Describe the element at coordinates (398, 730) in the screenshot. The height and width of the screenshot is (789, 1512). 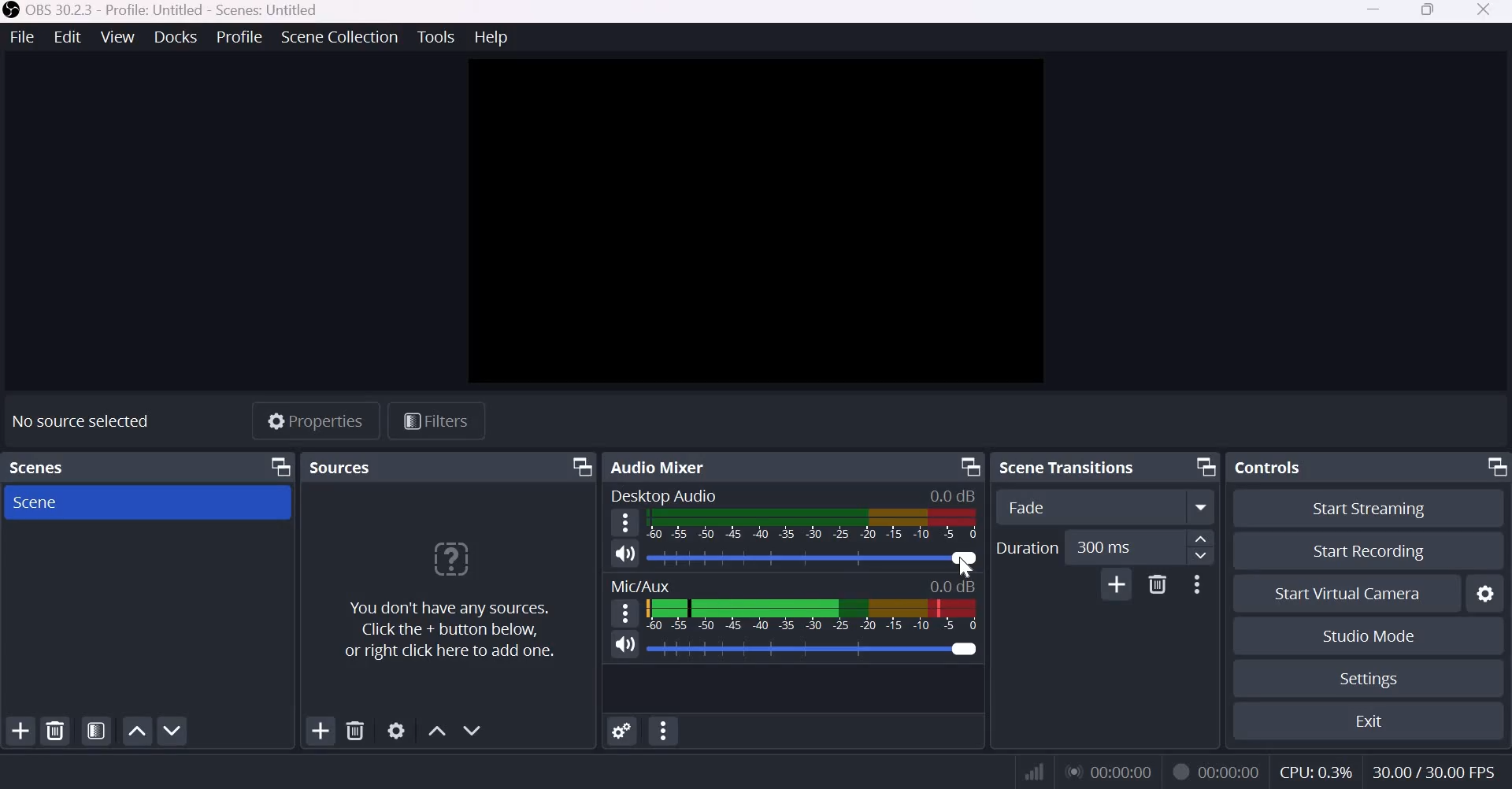
I see `Open source properties` at that location.